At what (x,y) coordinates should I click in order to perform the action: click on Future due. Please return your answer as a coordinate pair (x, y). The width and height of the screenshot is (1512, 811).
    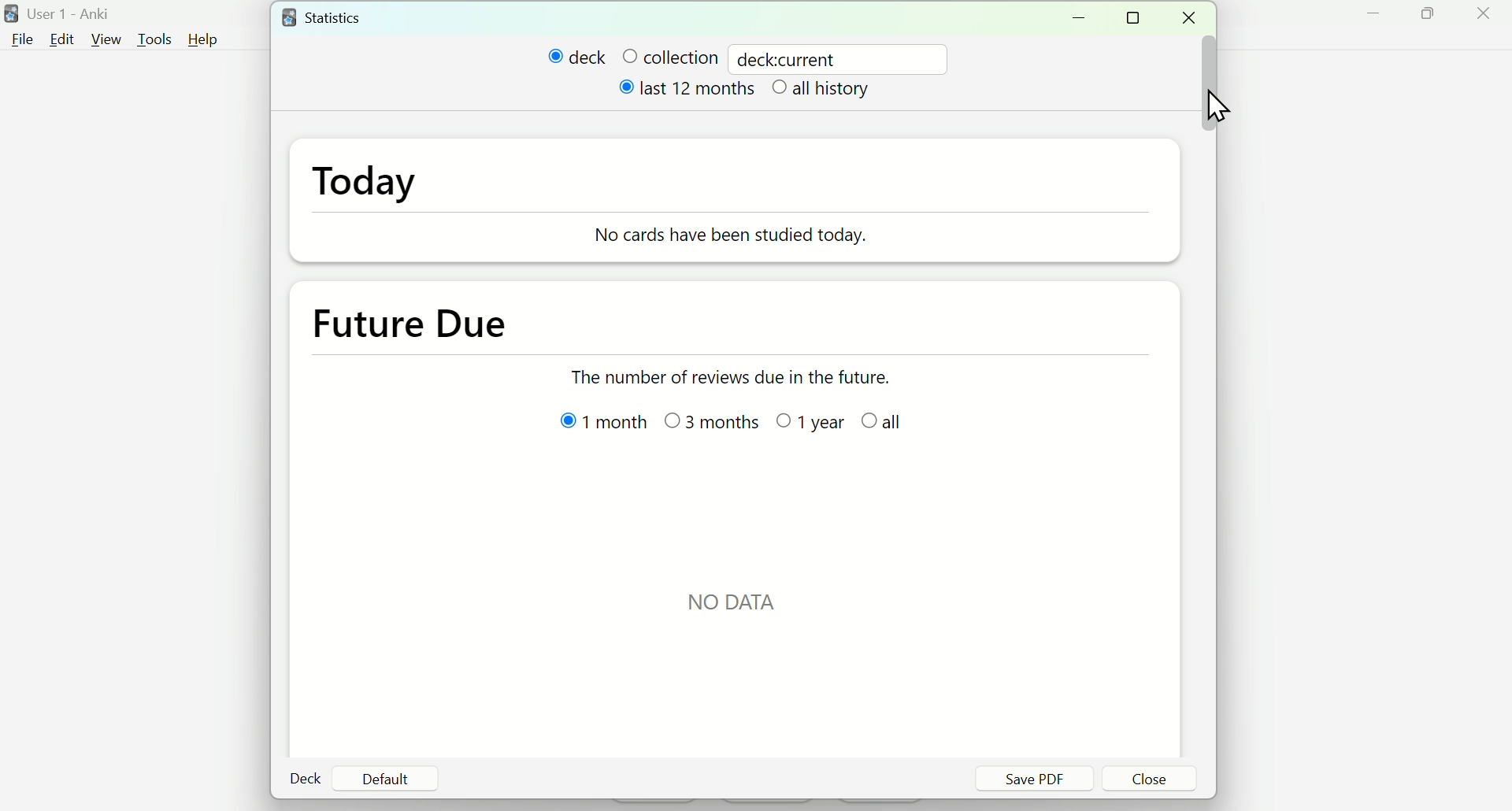
    Looking at the image, I should click on (428, 320).